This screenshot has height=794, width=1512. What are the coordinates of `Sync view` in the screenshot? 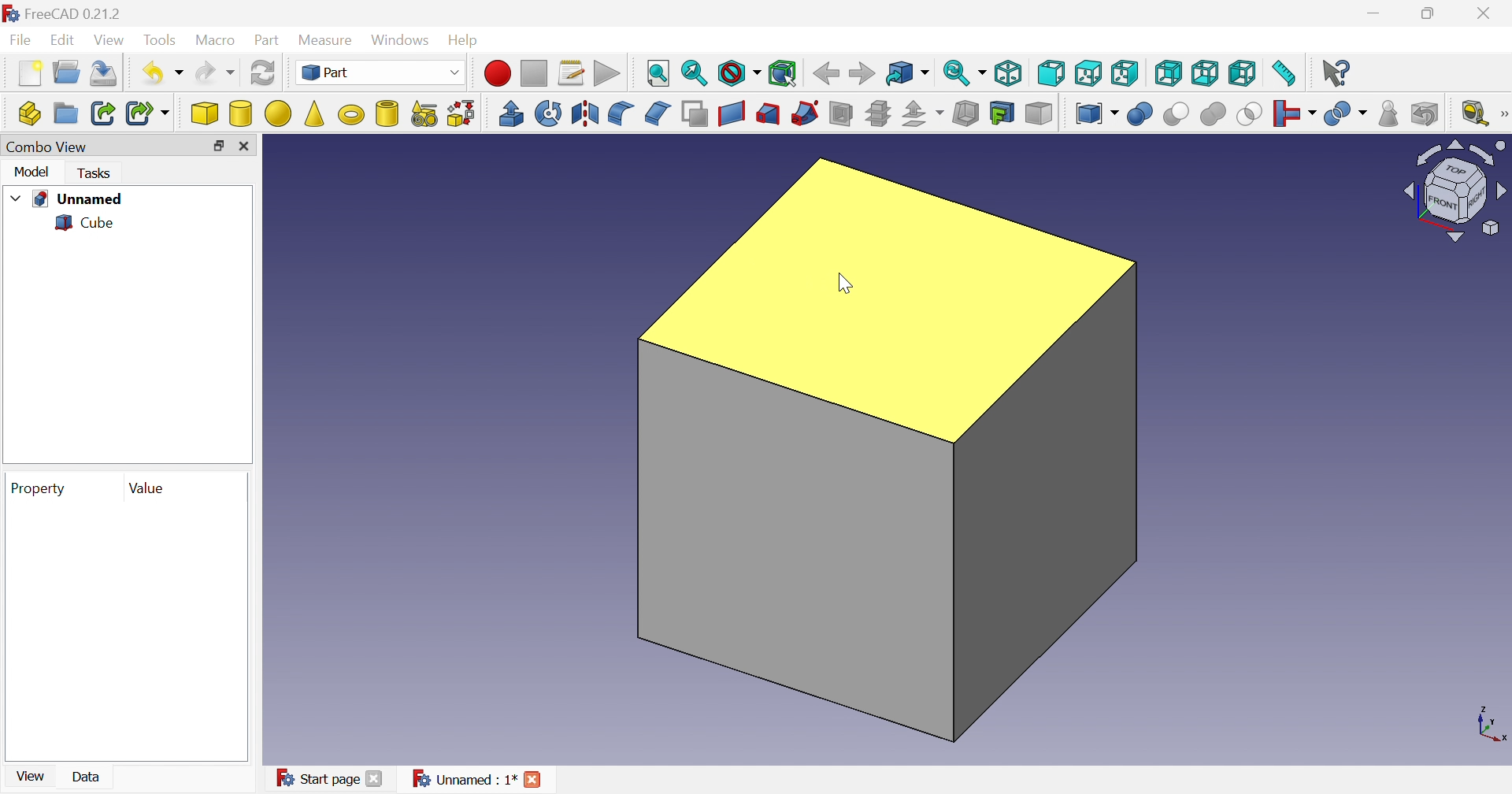 It's located at (963, 72).